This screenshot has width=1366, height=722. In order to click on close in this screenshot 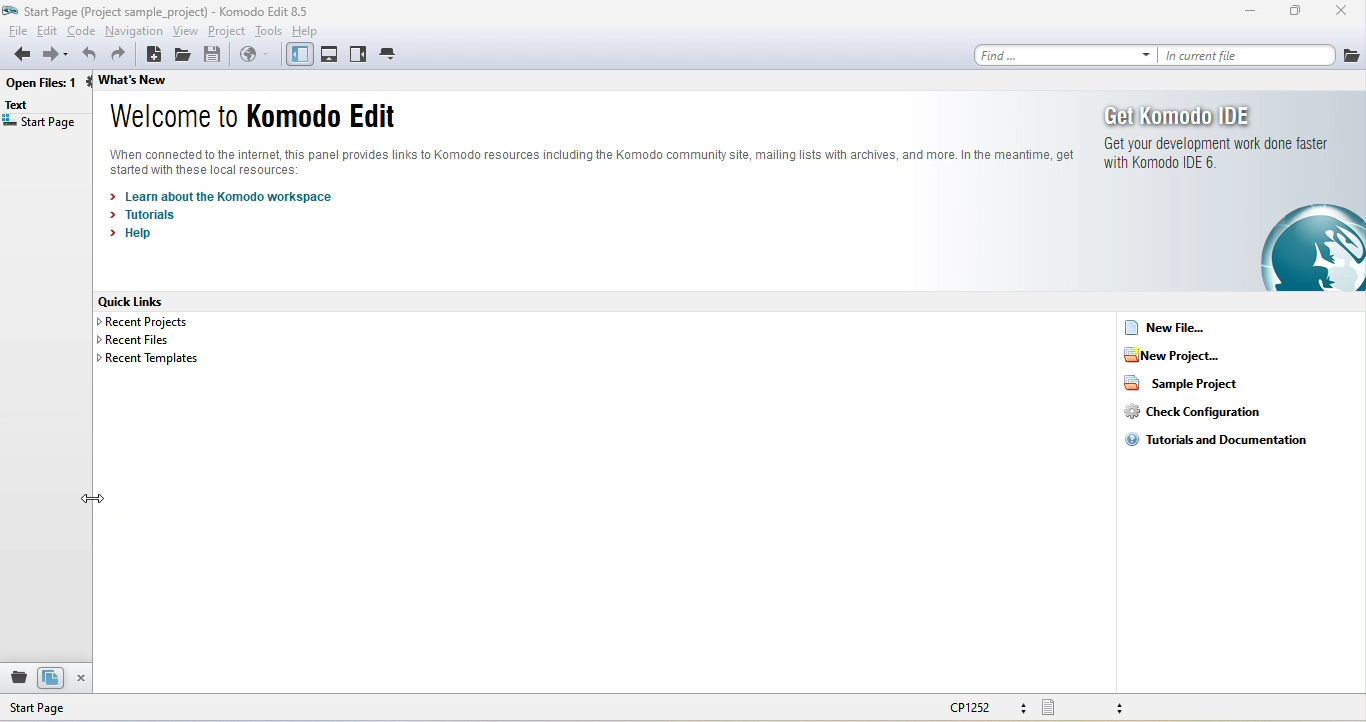, I will do `click(1337, 13)`.